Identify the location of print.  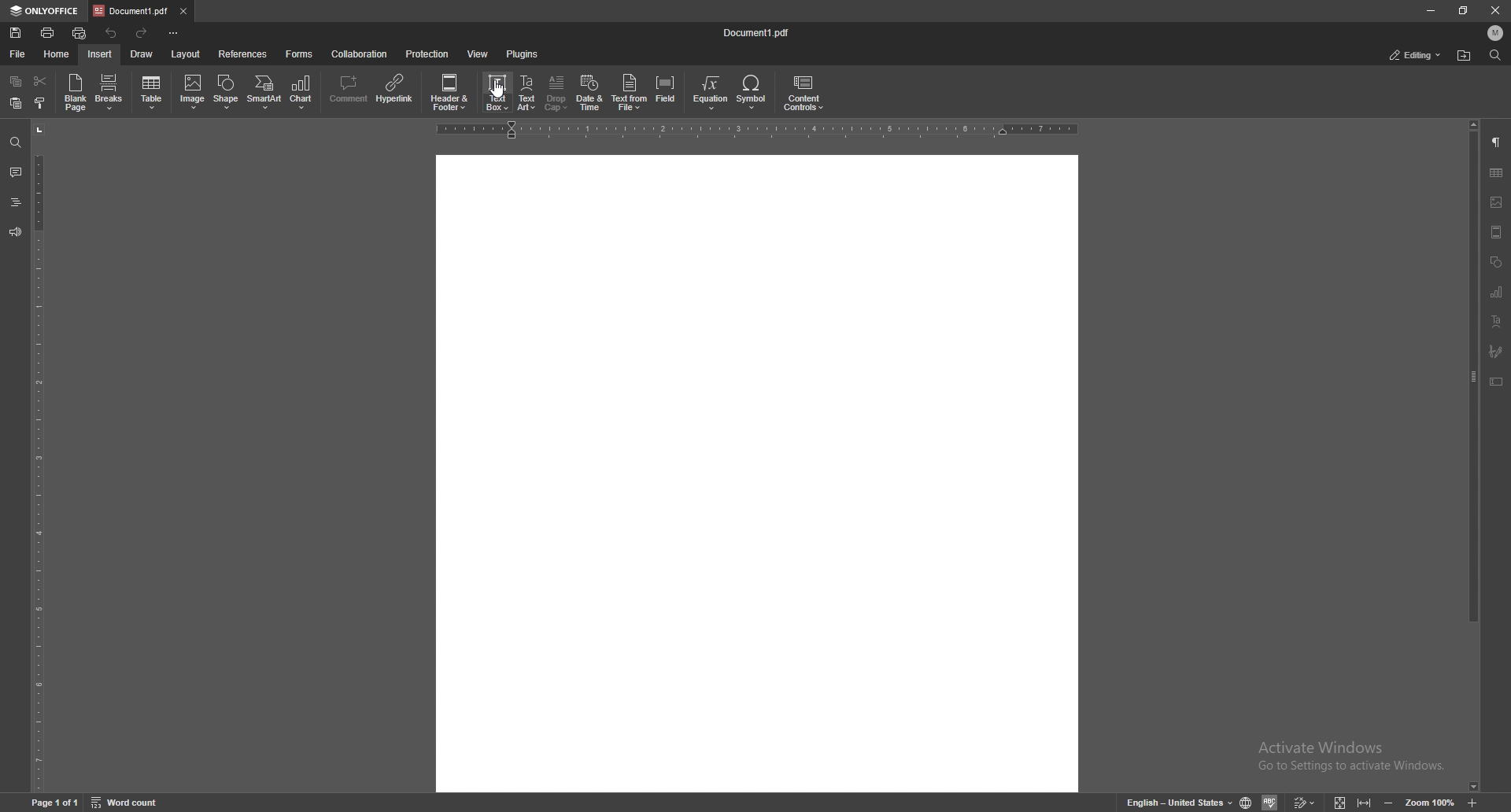
(47, 33).